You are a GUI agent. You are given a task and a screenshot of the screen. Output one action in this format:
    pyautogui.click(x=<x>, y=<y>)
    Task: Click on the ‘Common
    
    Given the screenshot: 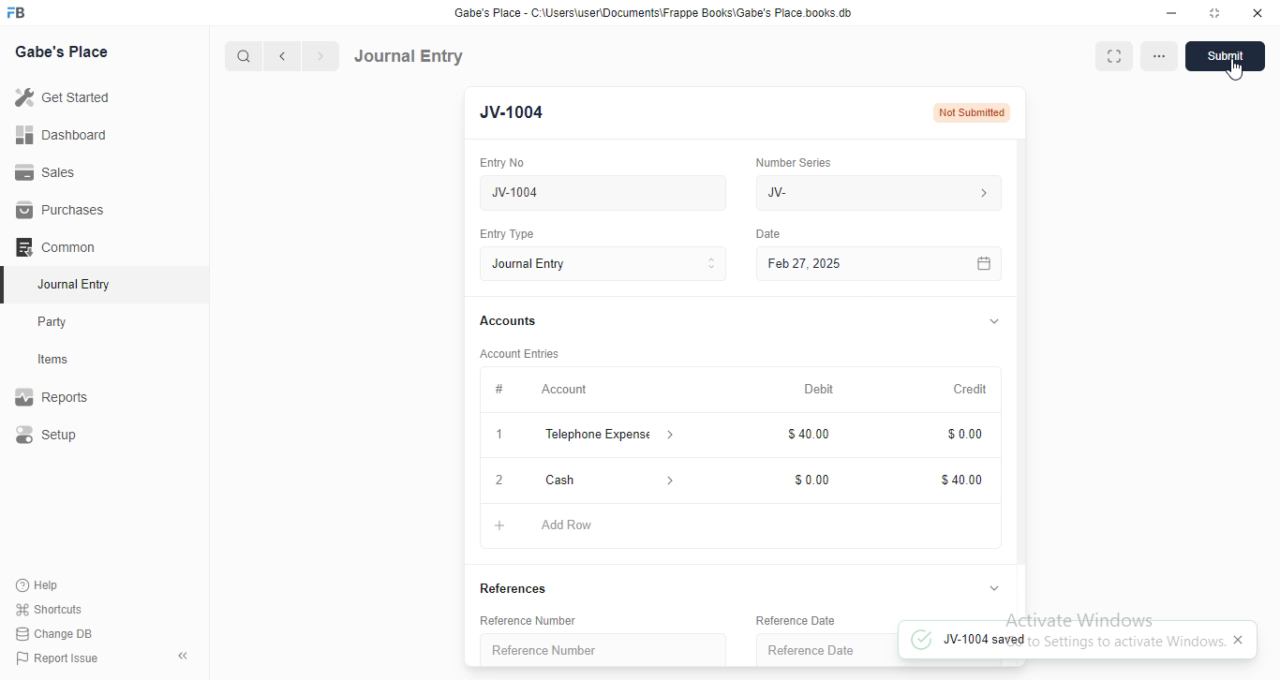 What is the action you would take?
    pyautogui.click(x=57, y=246)
    